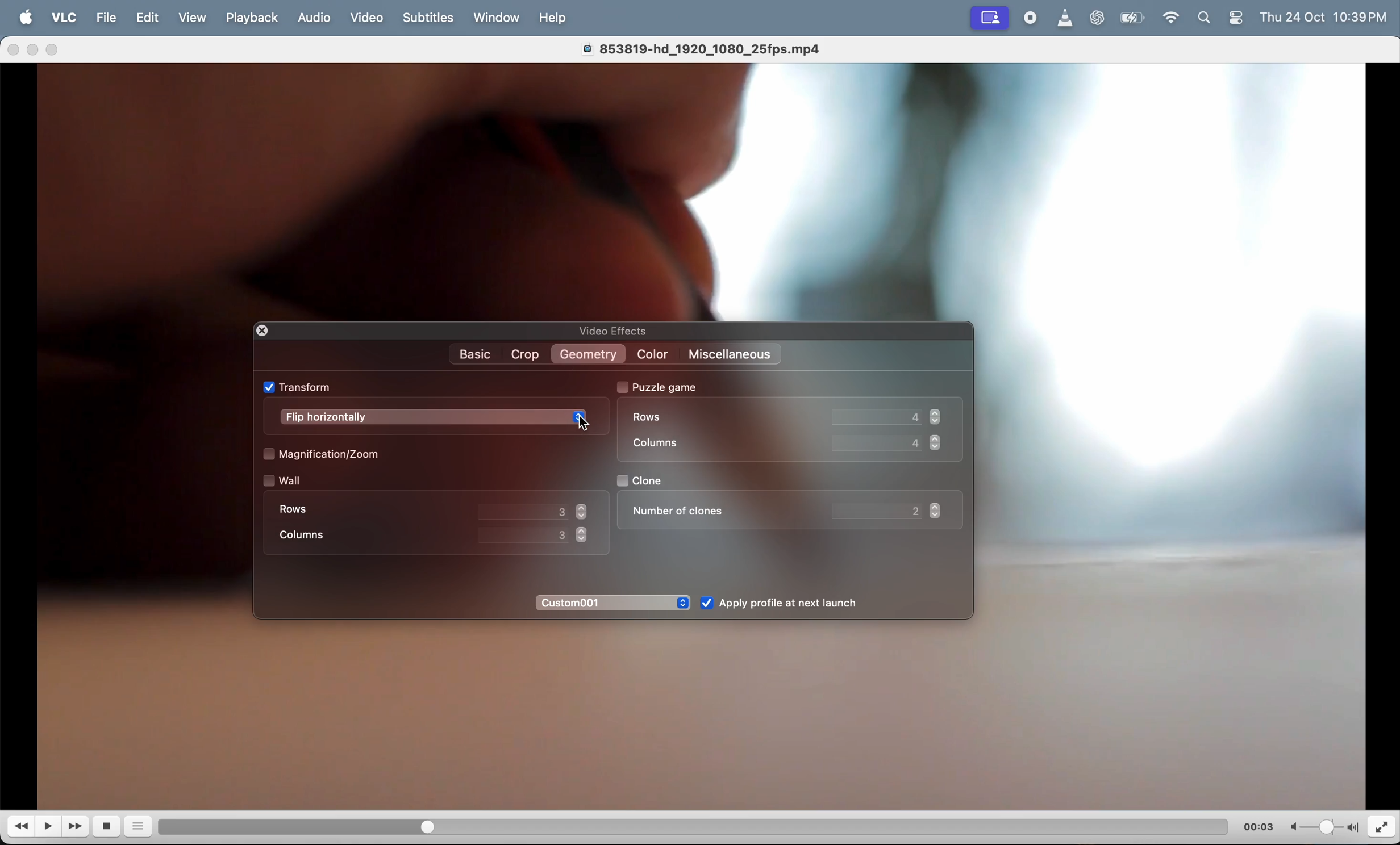  Describe the element at coordinates (27, 18) in the screenshot. I see `Apple menu` at that location.